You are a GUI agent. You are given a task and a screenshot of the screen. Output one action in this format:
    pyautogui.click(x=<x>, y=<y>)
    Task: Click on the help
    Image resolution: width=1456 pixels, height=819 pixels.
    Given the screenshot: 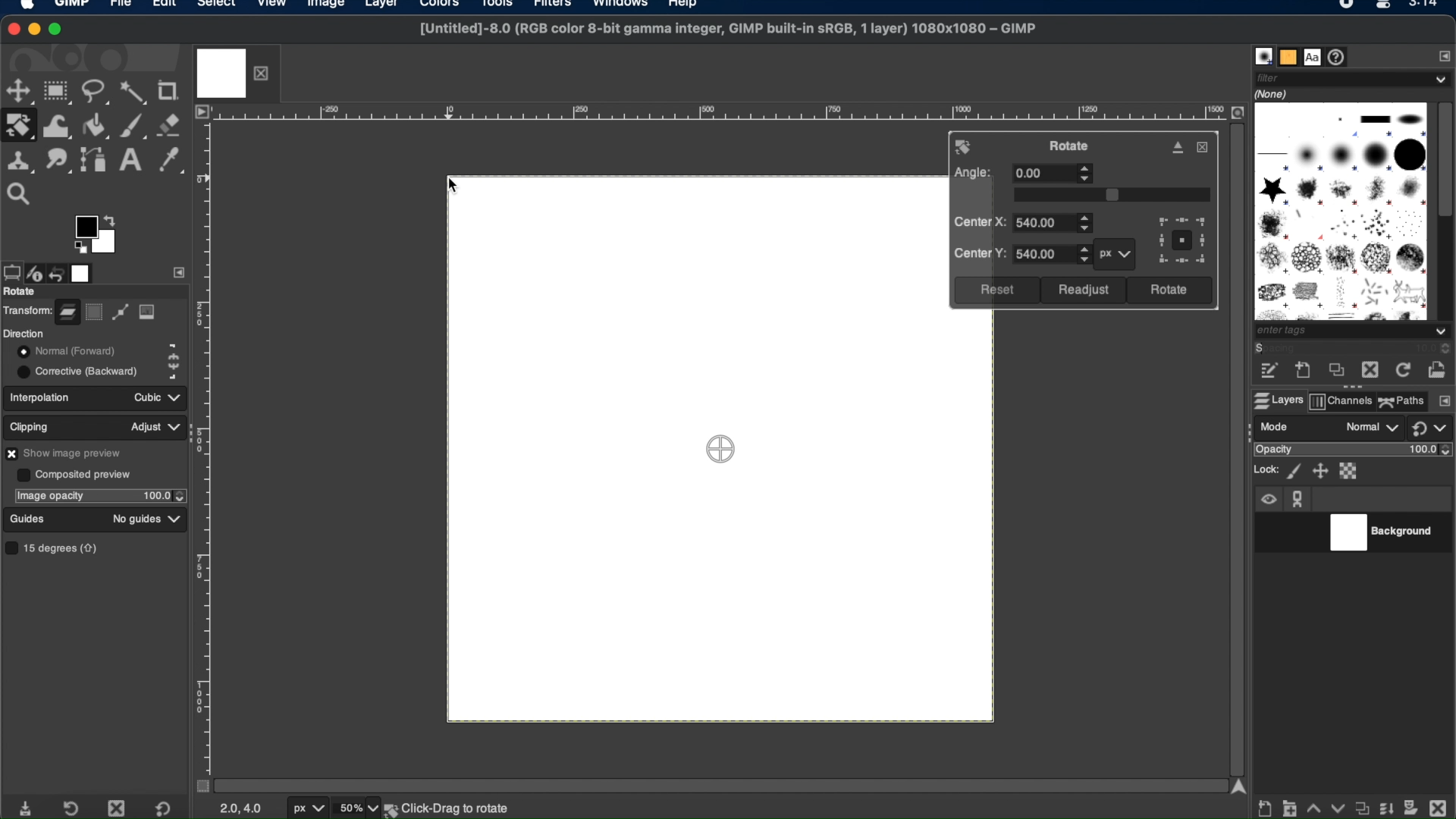 What is the action you would take?
    pyautogui.click(x=684, y=6)
    